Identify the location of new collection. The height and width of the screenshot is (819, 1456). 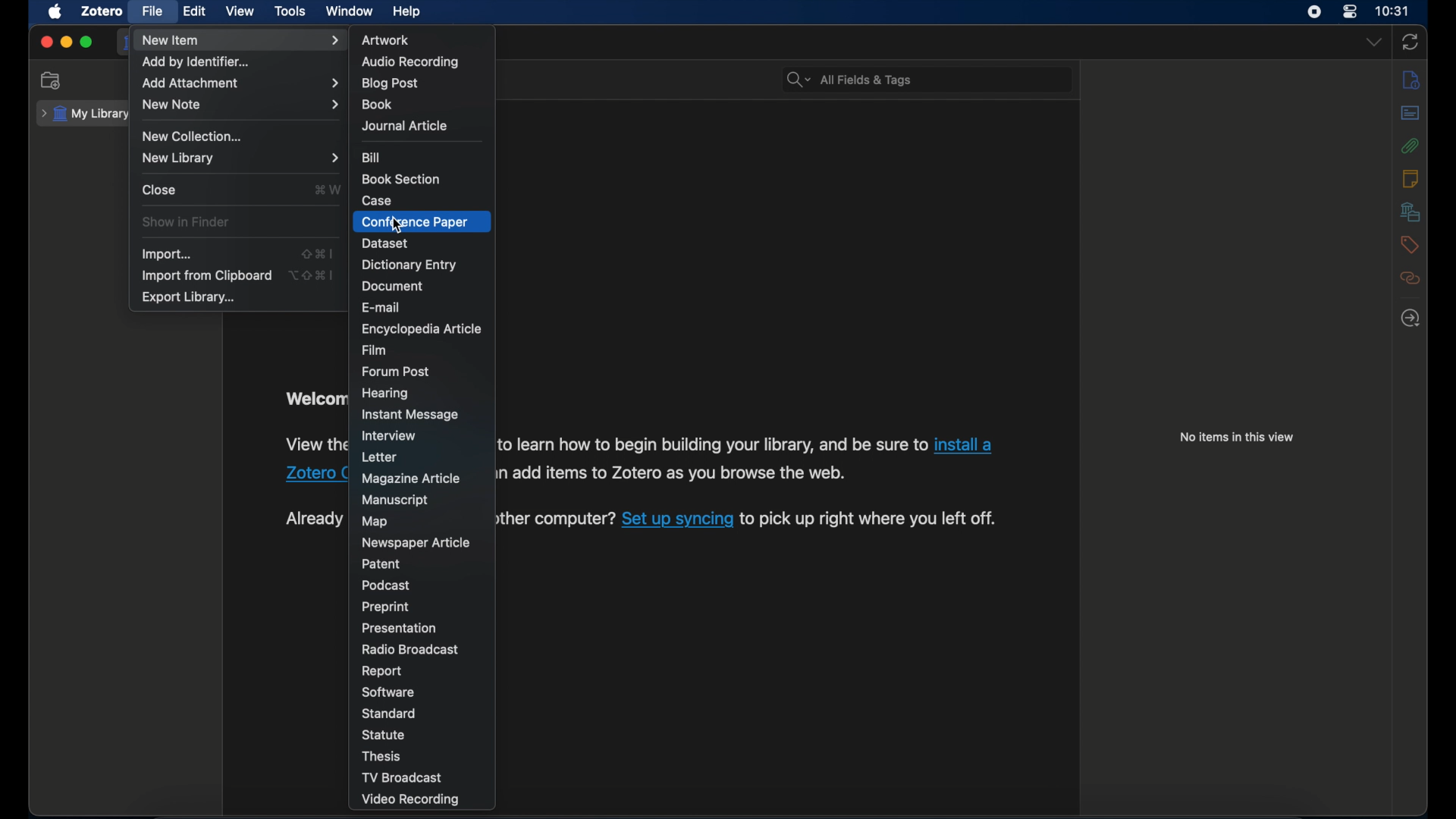
(193, 136).